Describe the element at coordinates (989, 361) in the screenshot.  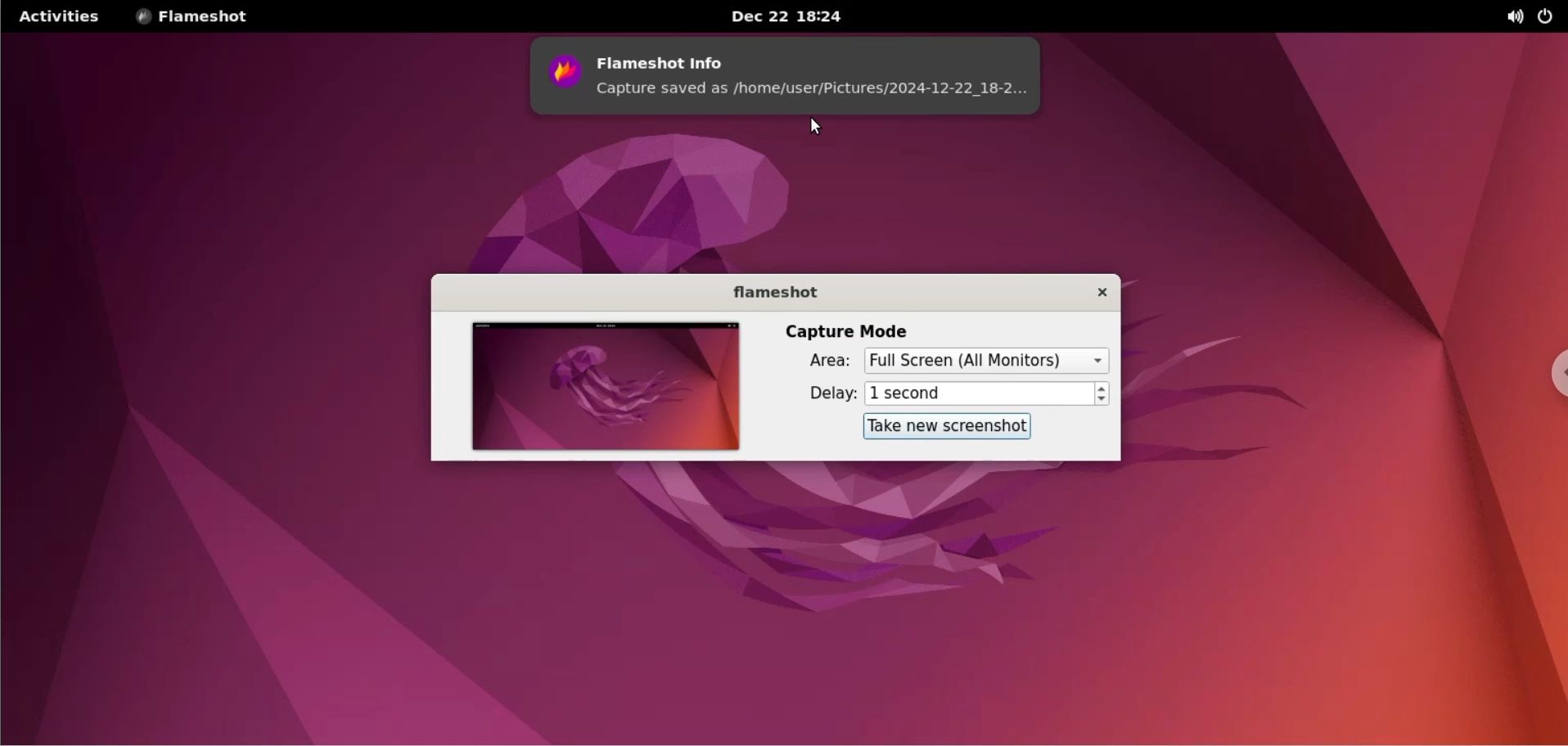
I see `selected capture area full screen` at that location.